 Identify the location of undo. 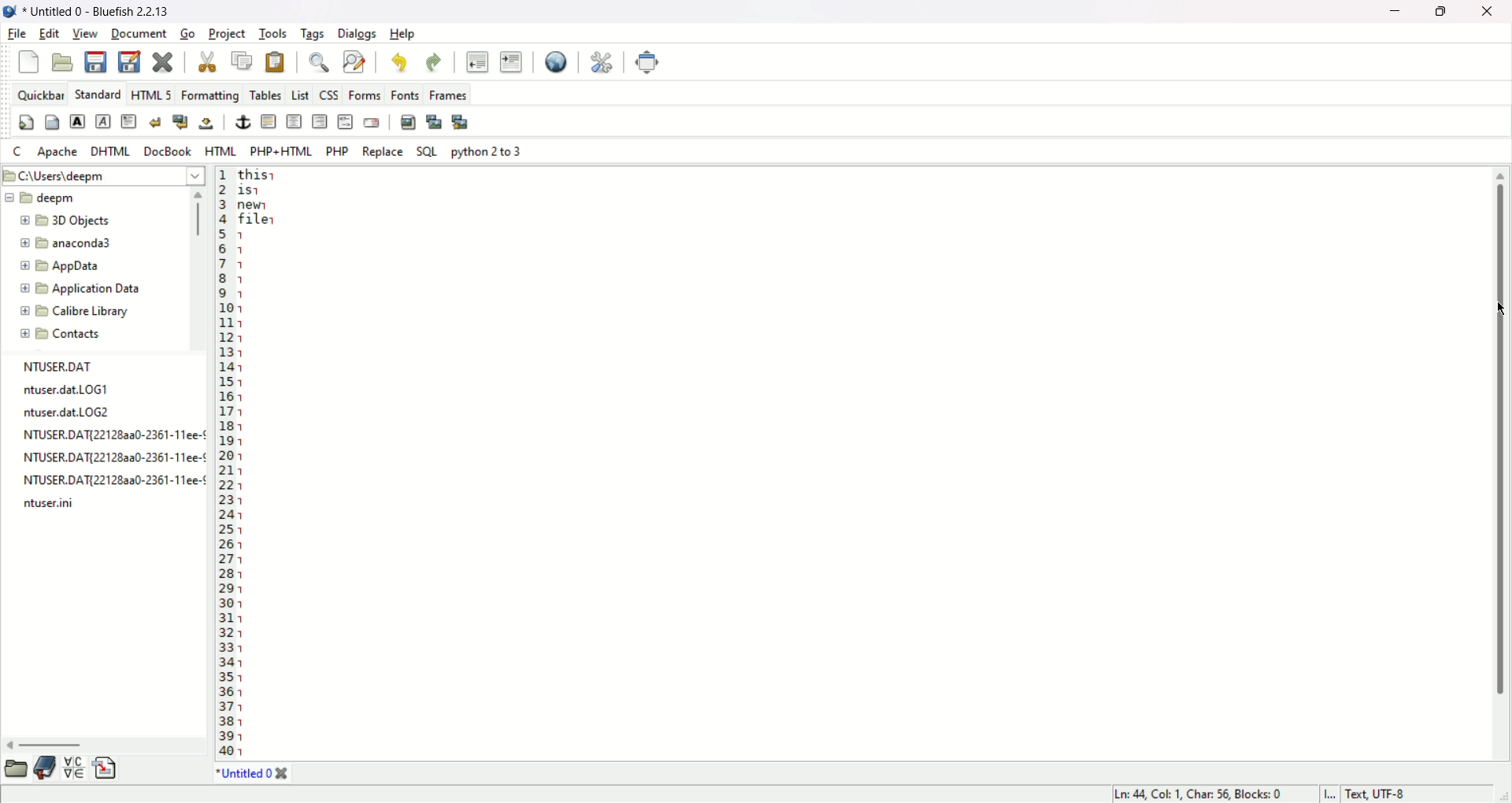
(402, 65).